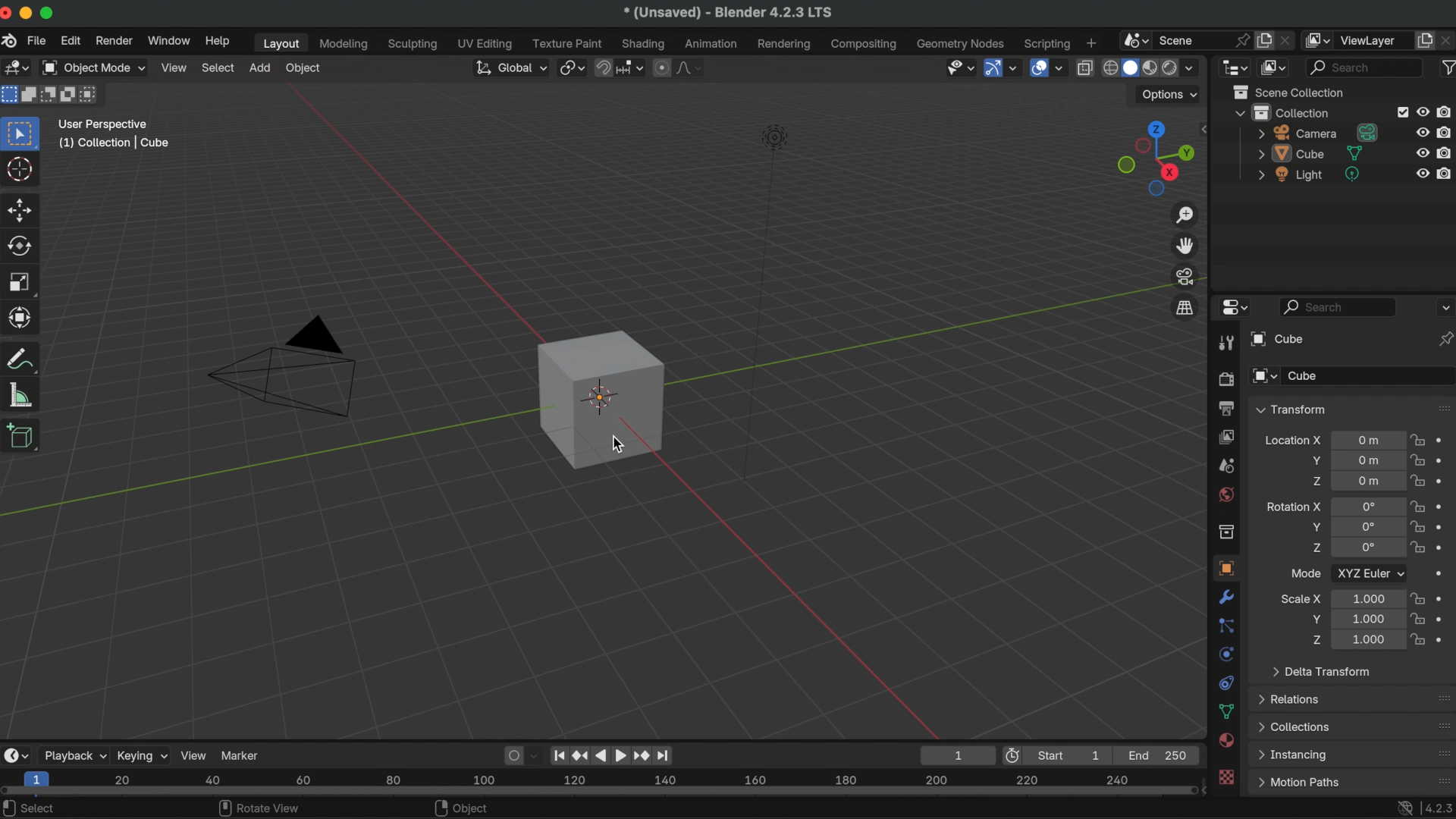  Describe the element at coordinates (1446, 172) in the screenshot. I see `disable in render` at that location.